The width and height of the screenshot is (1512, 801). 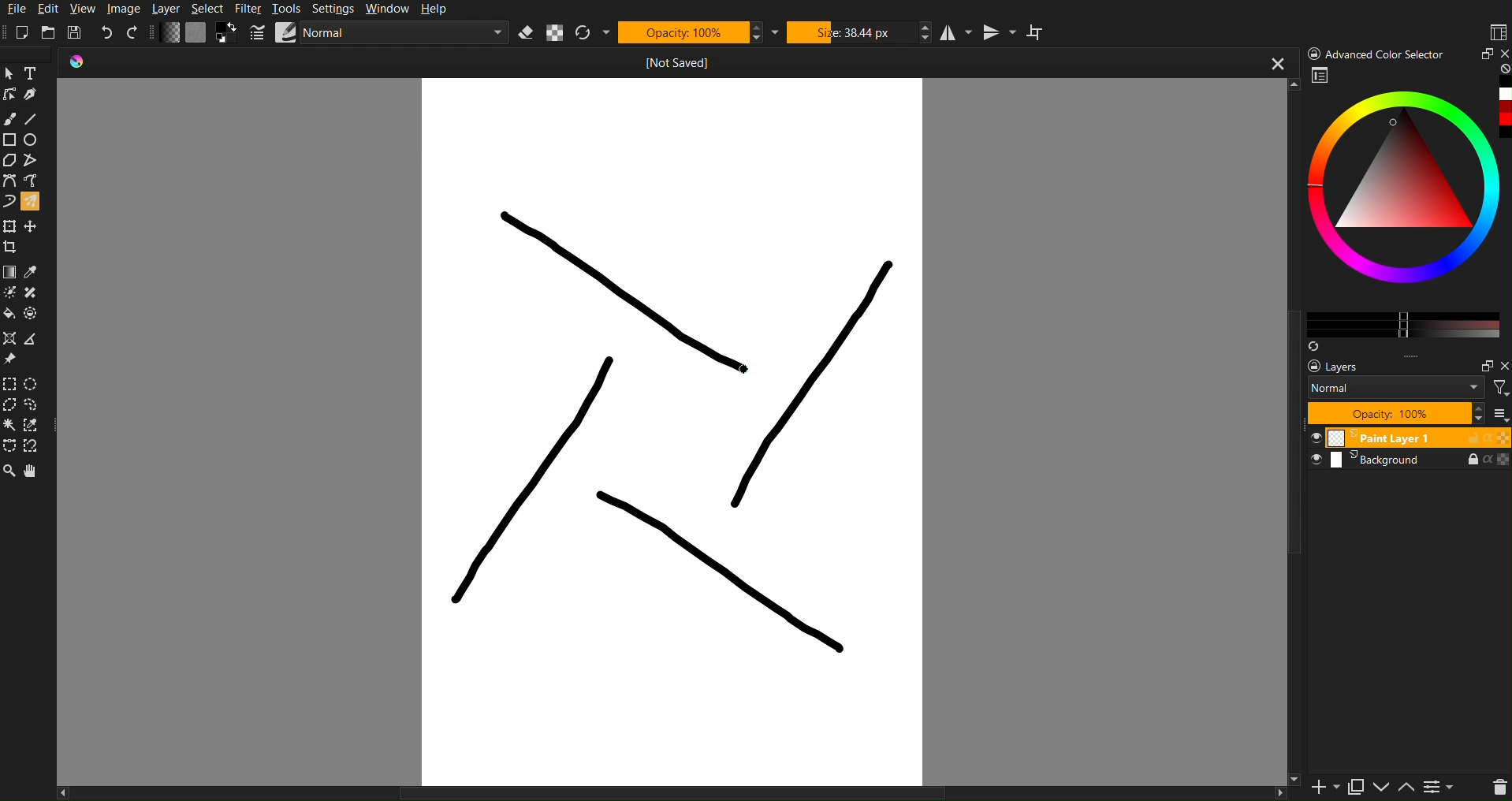 What do you see at coordinates (35, 95) in the screenshot?
I see `Pen Tool` at bounding box center [35, 95].